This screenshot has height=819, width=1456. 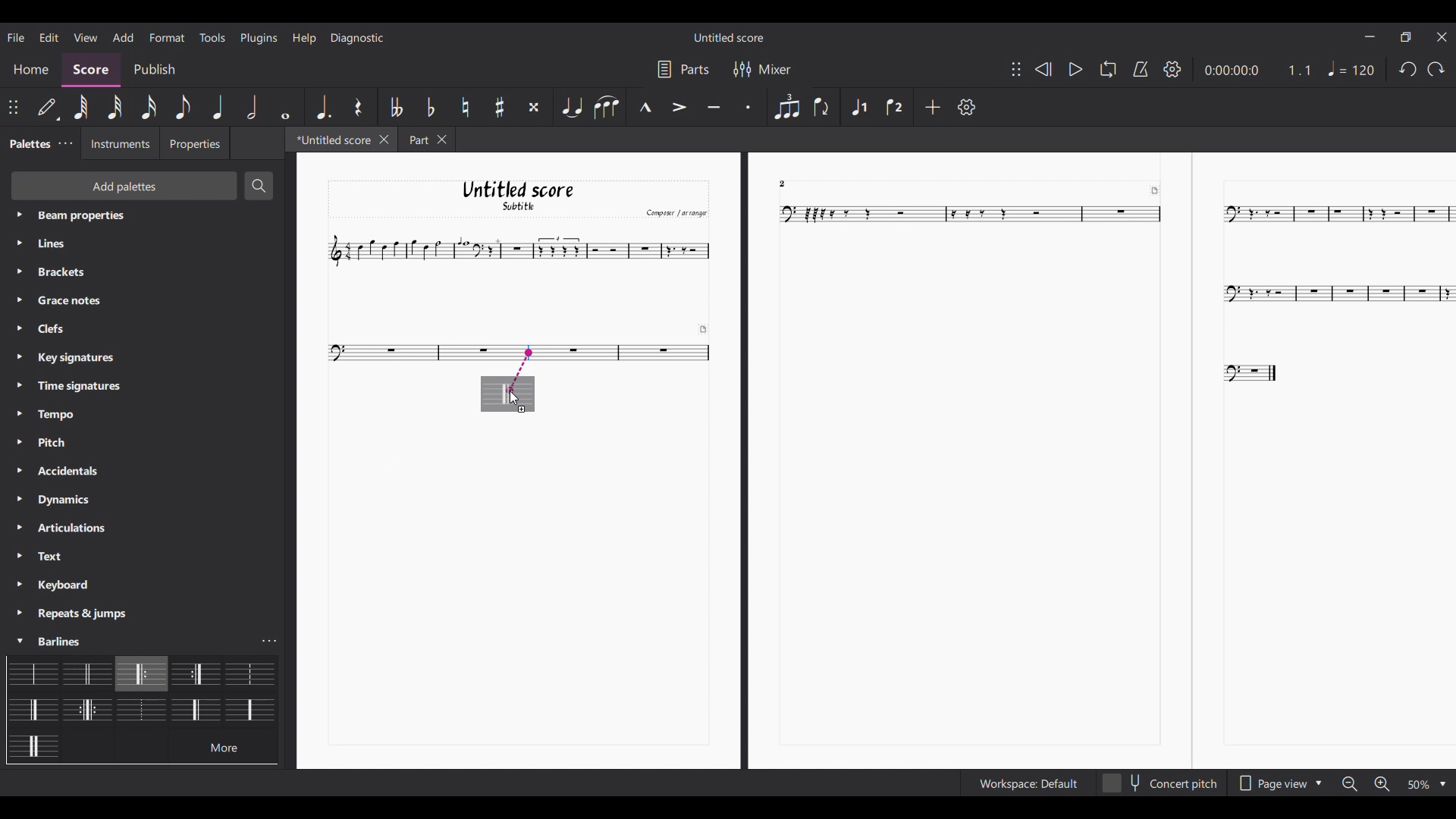 What do you see at coordinates (82, 108) in the screenshot?
I see `64th note` at bounding box center [82, 108].